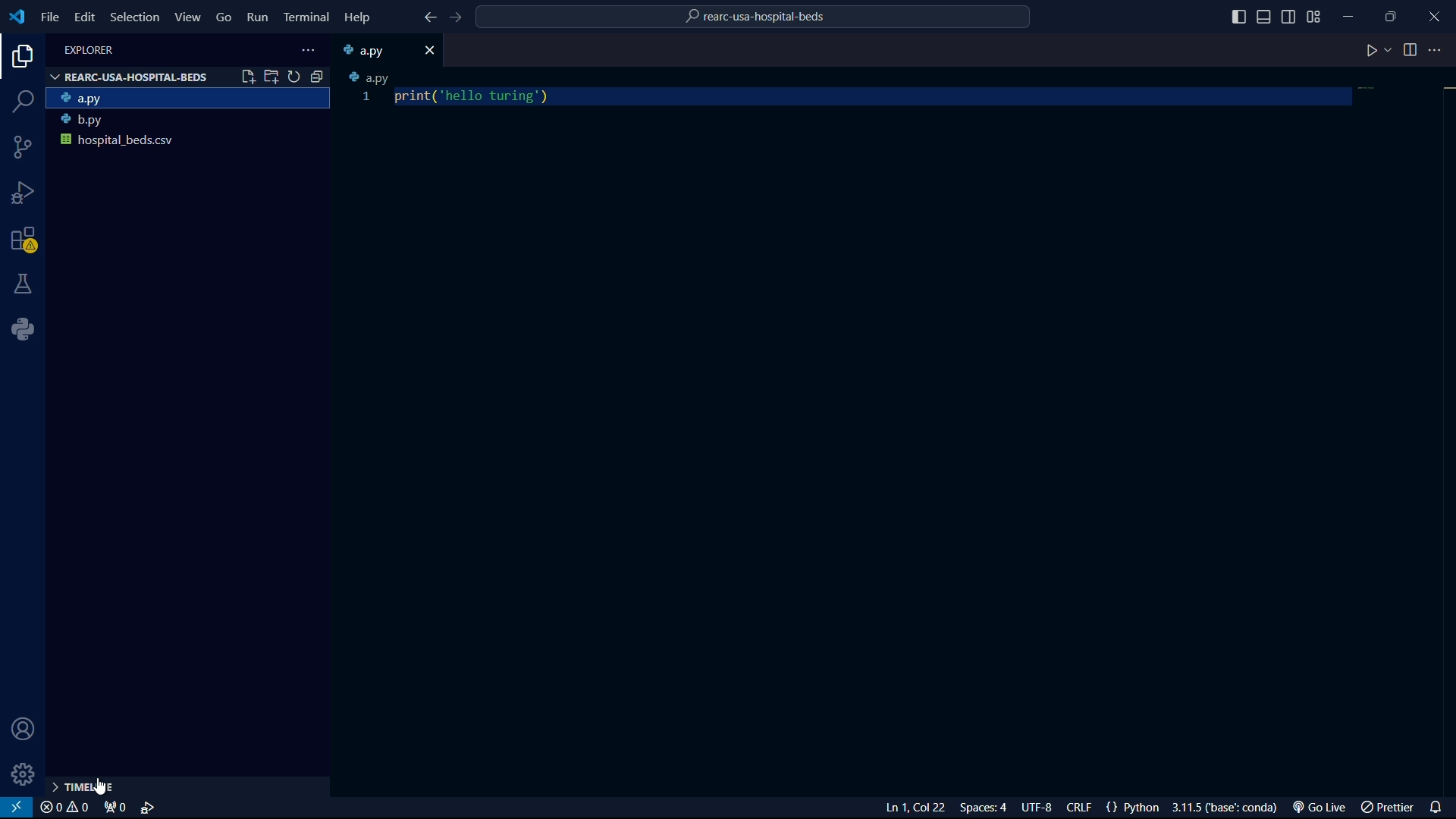  What do you see at coordinates (189, 121) in the screenshot?
I see `b.py file` at bounding box center [189, 121].